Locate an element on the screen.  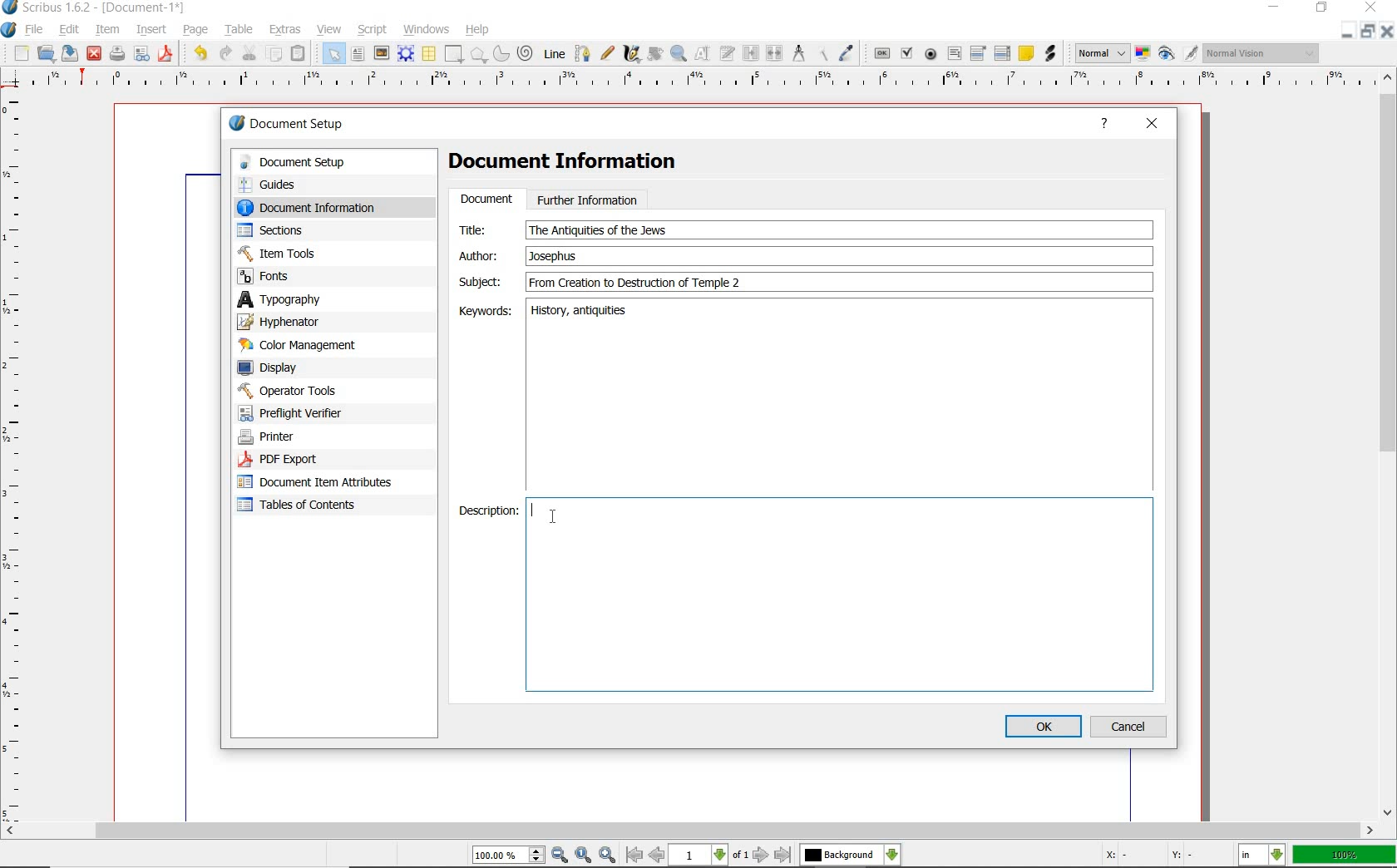
document item attributes is located at coordinates (321, 484).